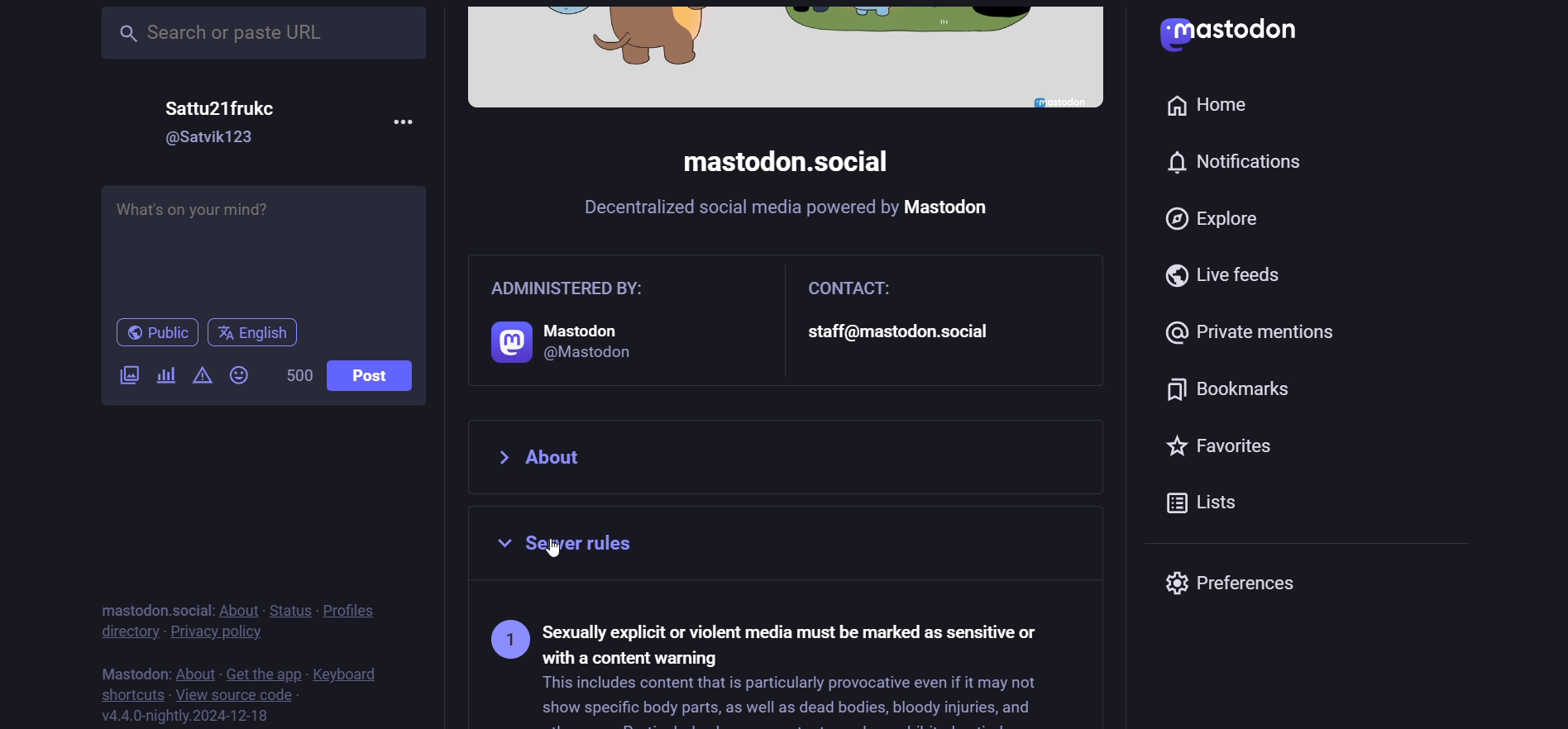 This screenshot has height=729, width=1568. What do you see at coordinates (148, 609) in the screenshot?
I see `mastodon social` at bounding box center [148, 609].